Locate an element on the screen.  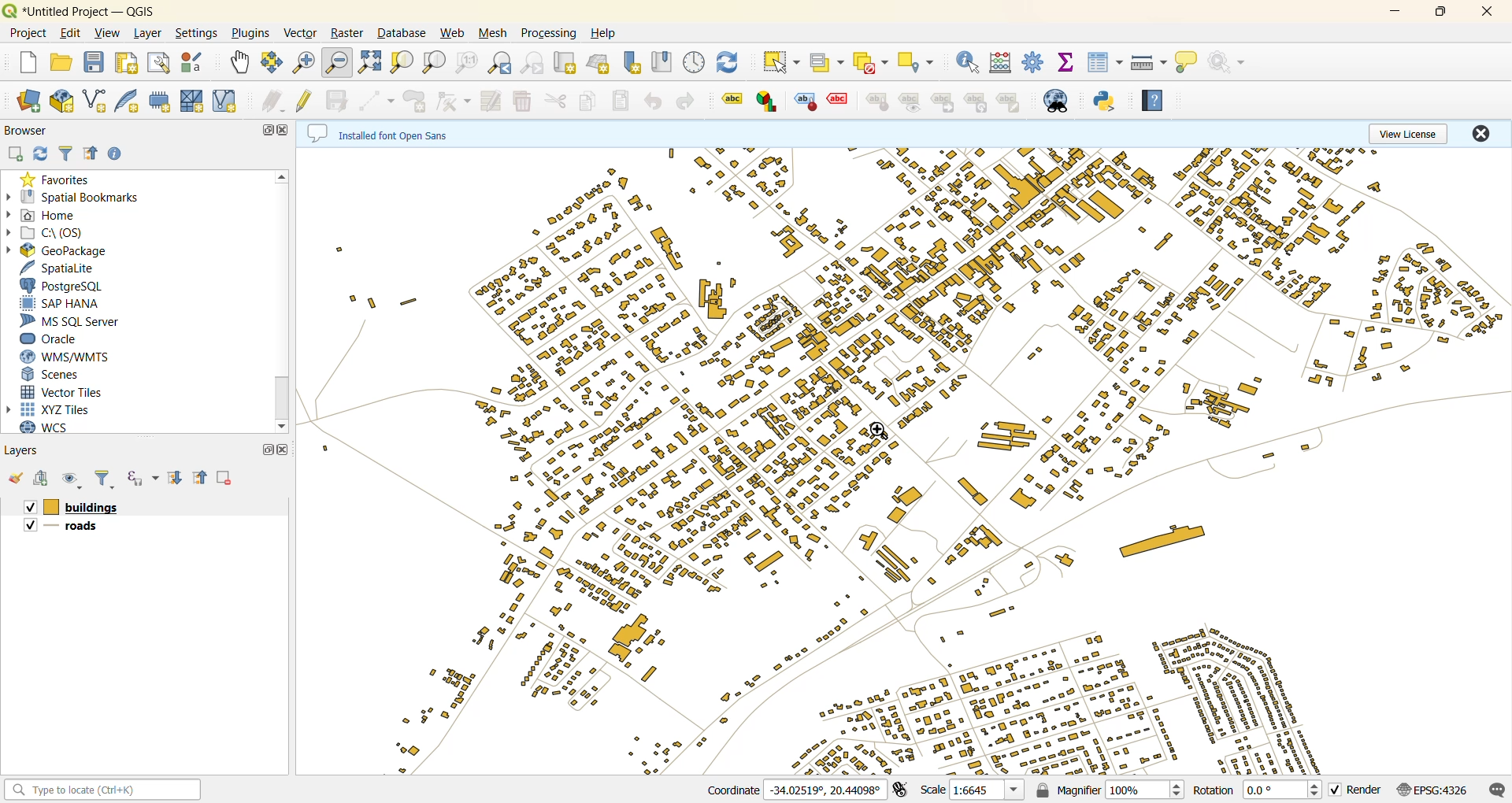
Untitled Project-QGIS(file name and app name) is located at coordinates (85, 10).